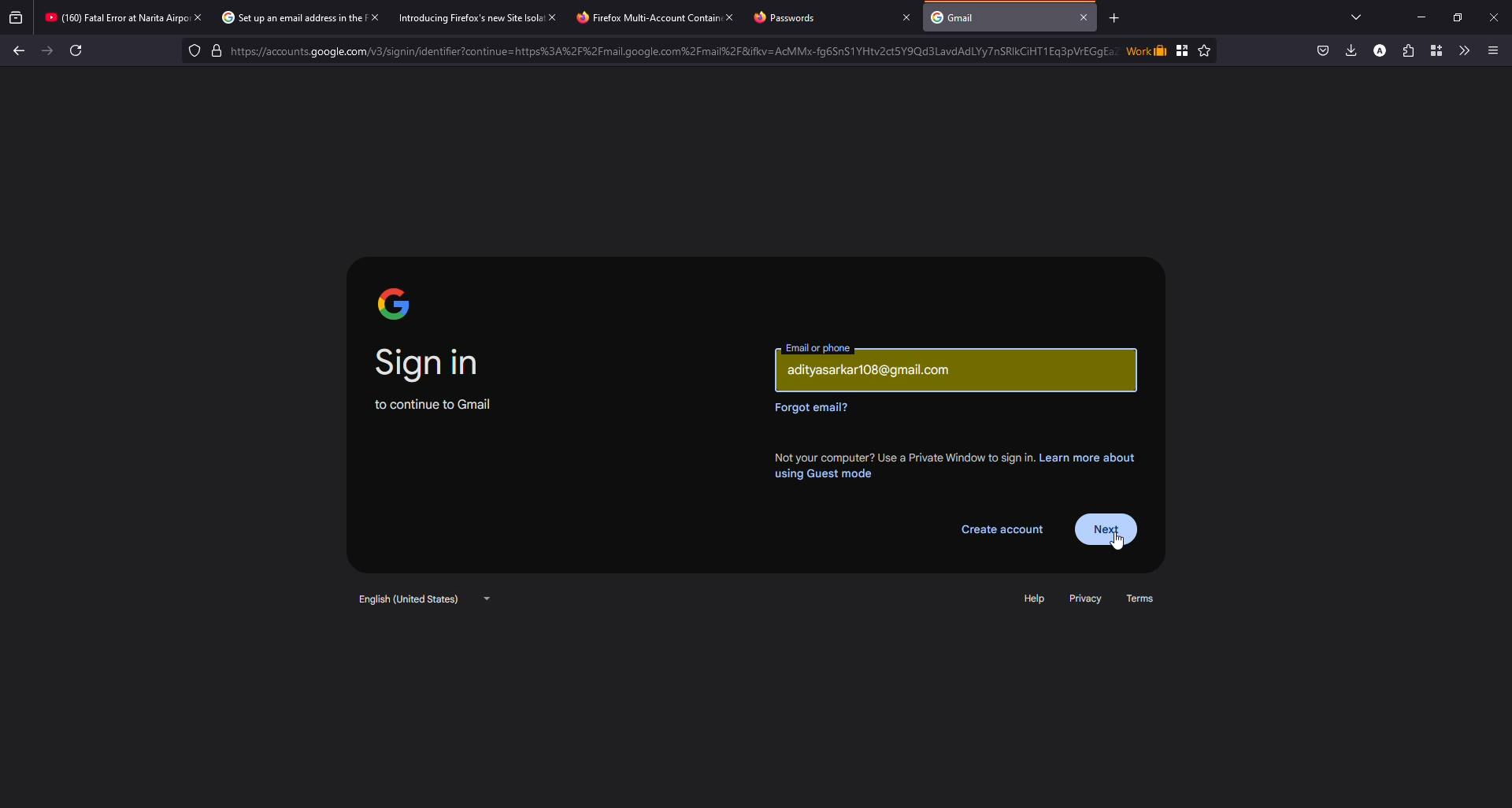 The width and height of the screenshot is (1512, 808). What do you see at coordinates (820, 347) in the screenshot?
I see `email` at bounding box center [820, 347].